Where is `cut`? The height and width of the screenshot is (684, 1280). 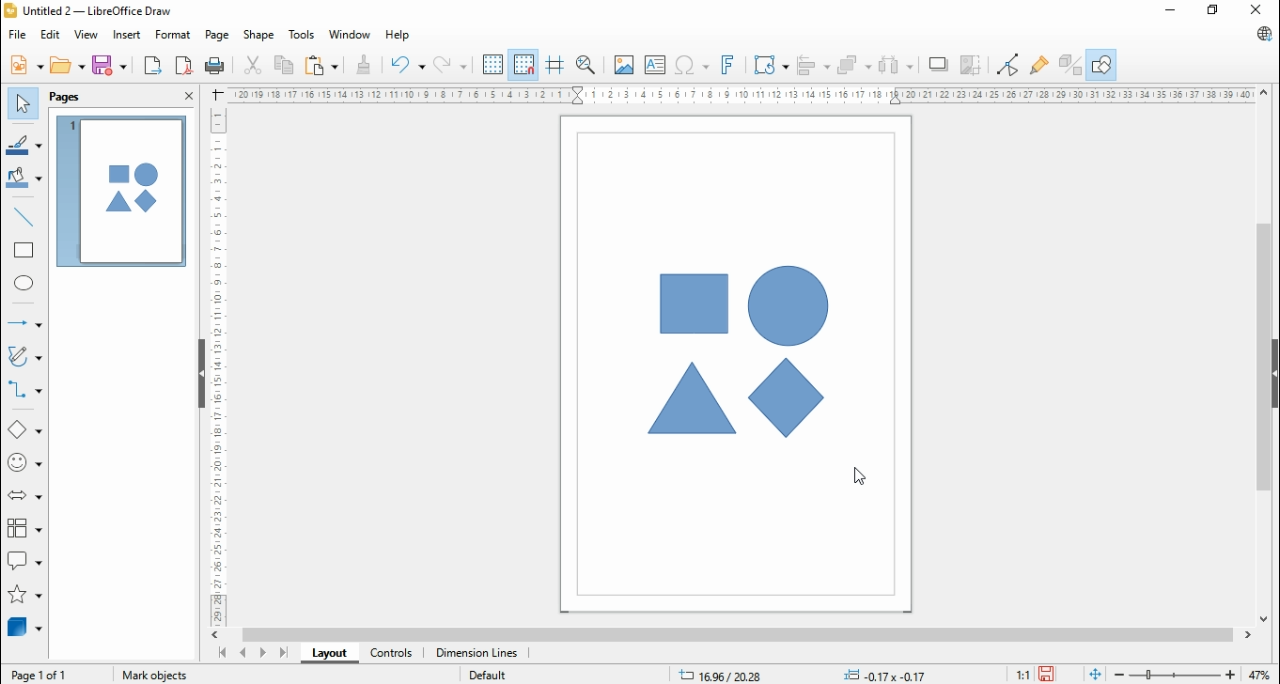 cut is located at coordinates (252, 65).